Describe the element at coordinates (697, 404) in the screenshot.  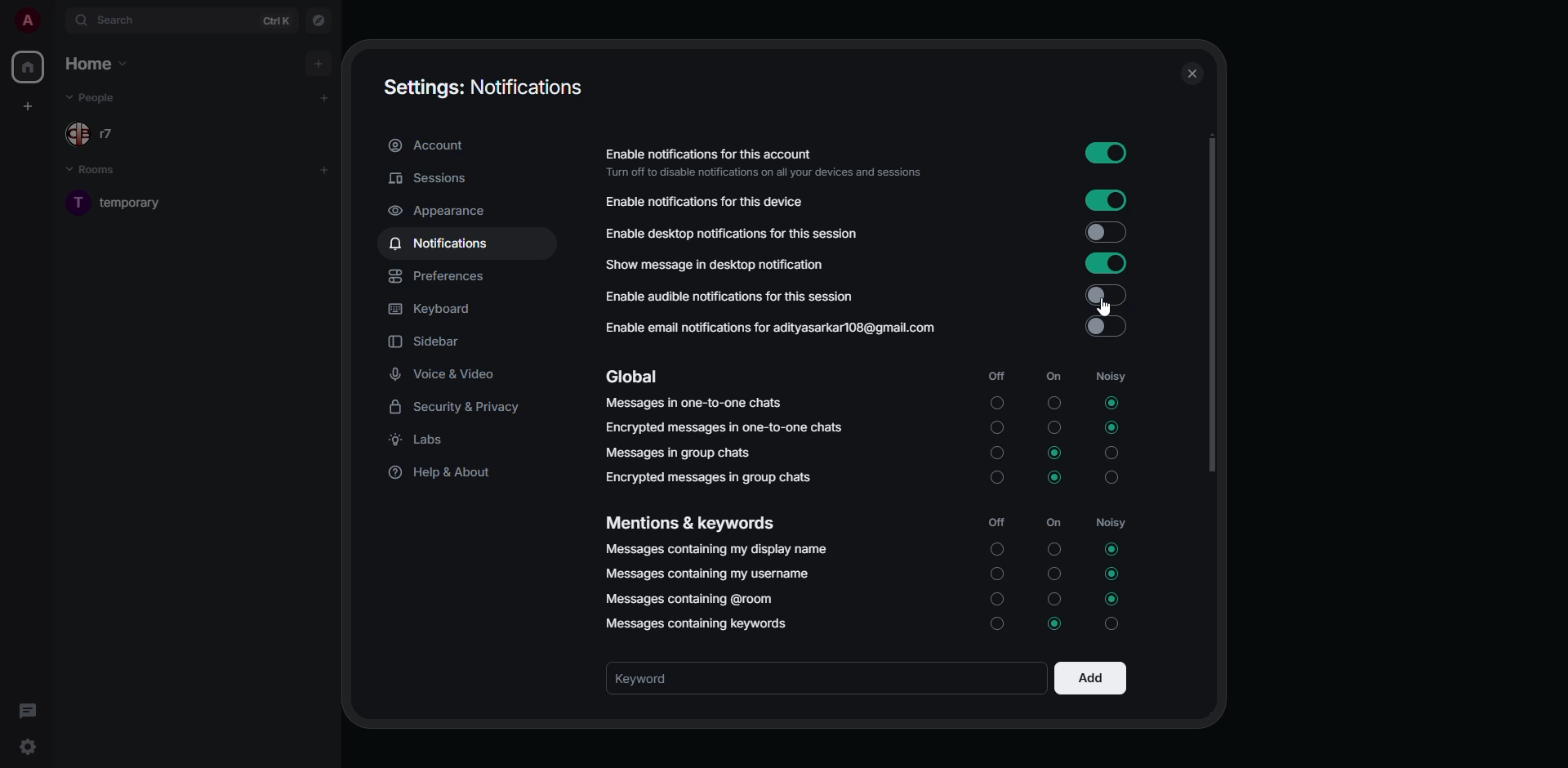
I see `messages in one to one chats` at that location.